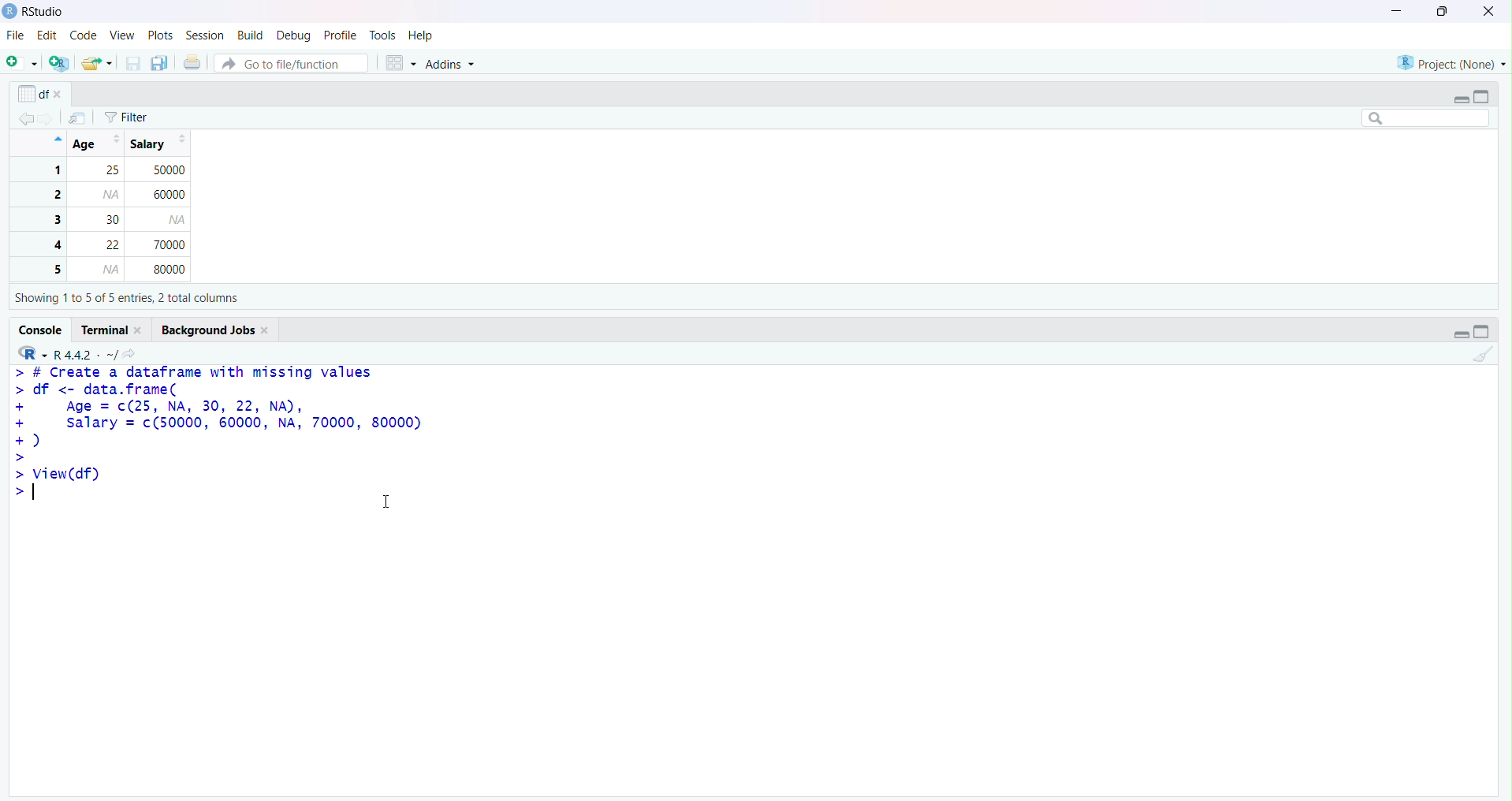 This screenshot has width=1512, height=801. What do you see at coordinates (45, 91) in the screenshot?
I see `df` at bounding box center [45, 91].